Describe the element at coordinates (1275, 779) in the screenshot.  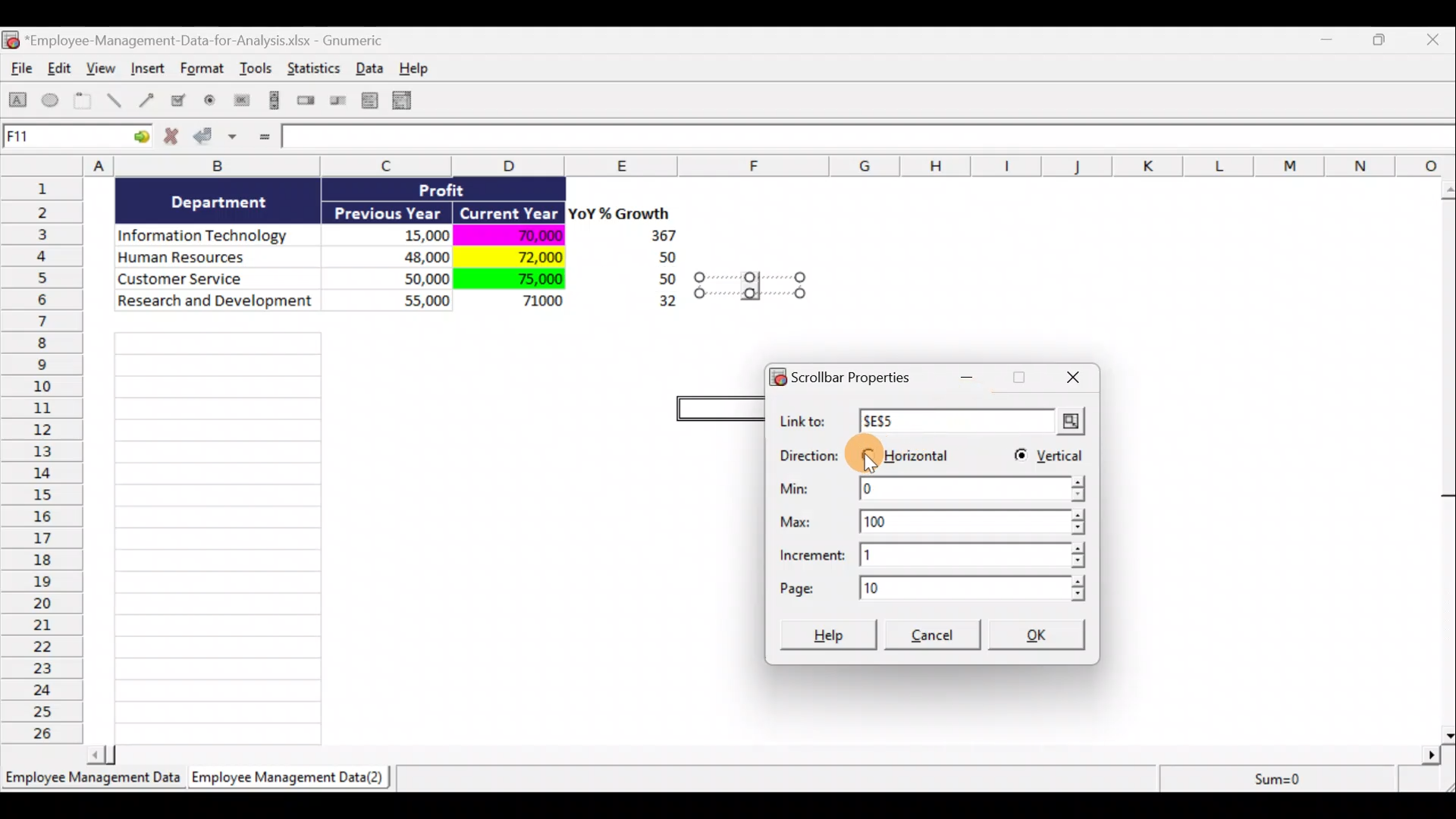
I see `Sum=0` at that location.